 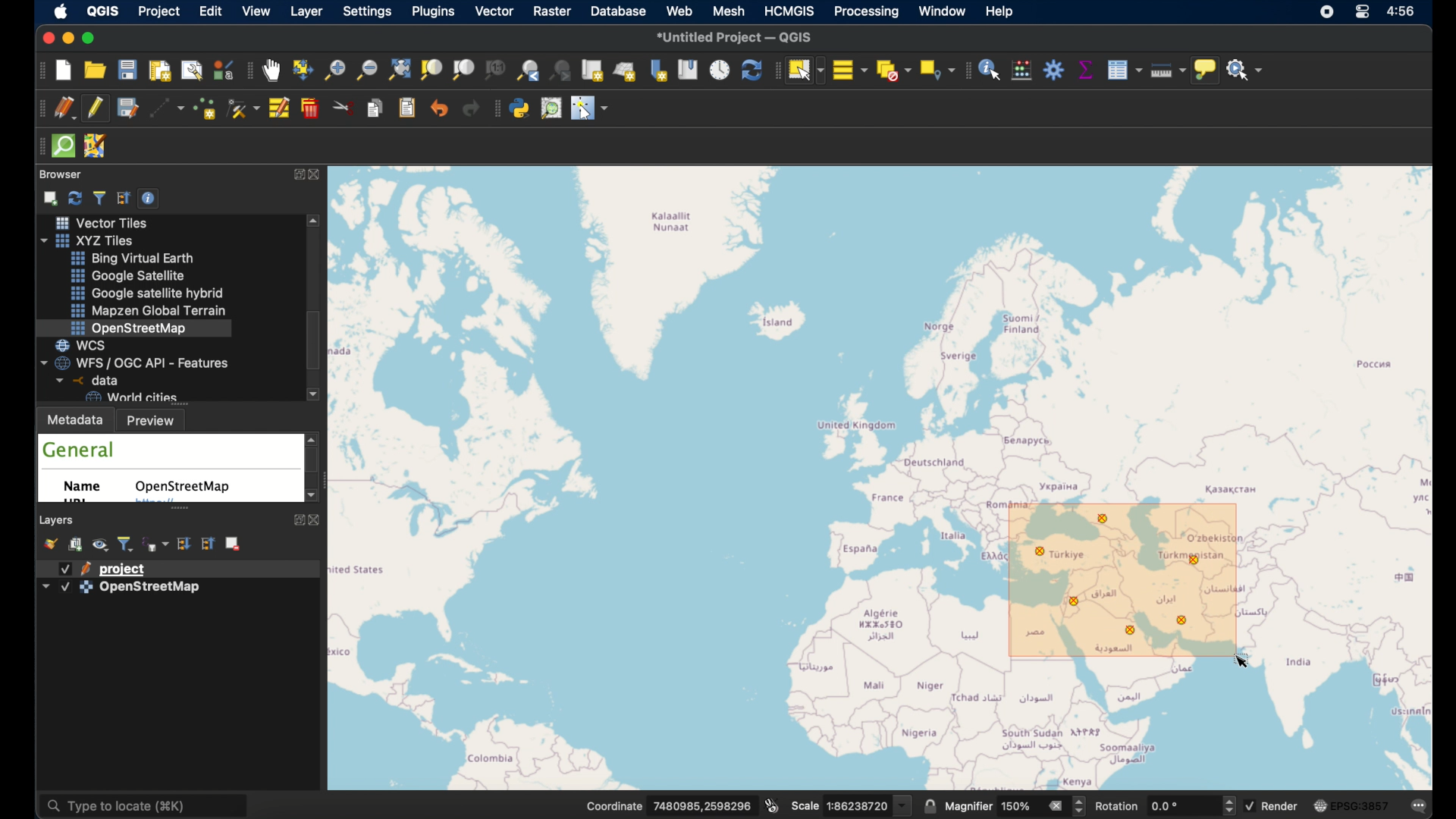 What do you see at coordinates (312, 108) in the screenshot?
I see `delete selected` at bounding box center [312, 108].